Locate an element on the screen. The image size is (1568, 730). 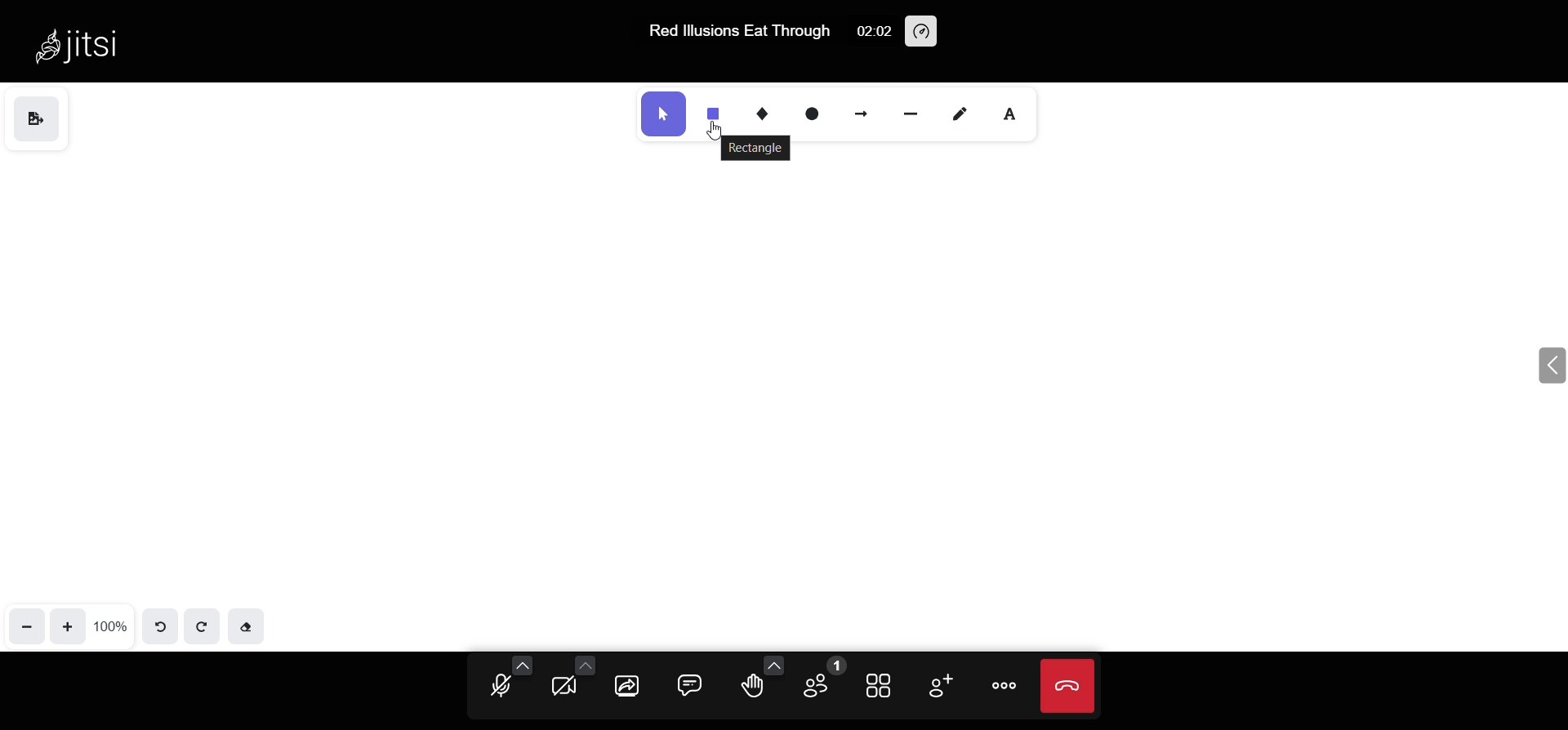
text is located at coordinates (1015, 110).